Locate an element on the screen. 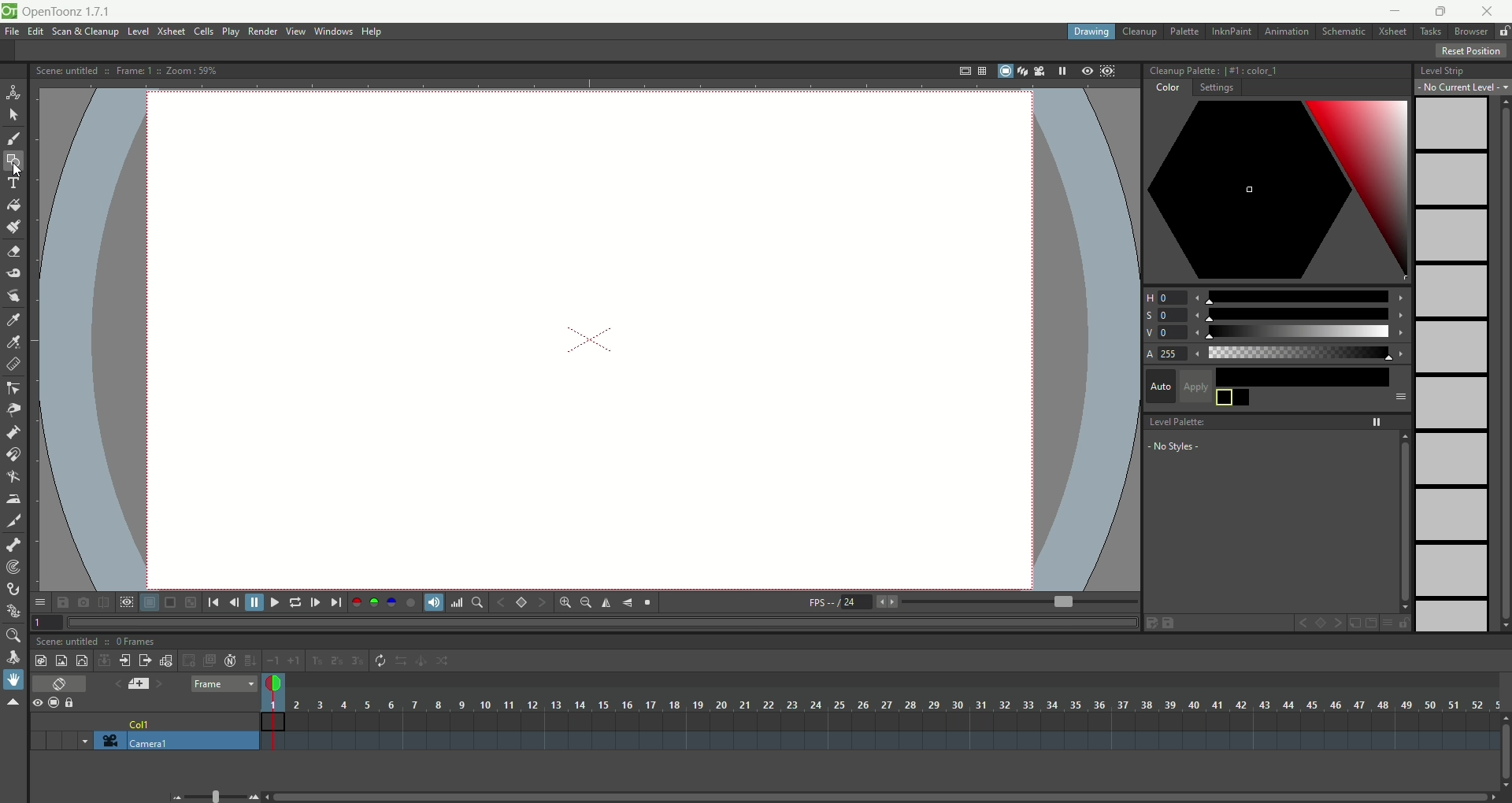  lock toggle is located at coordinates (76, 702).